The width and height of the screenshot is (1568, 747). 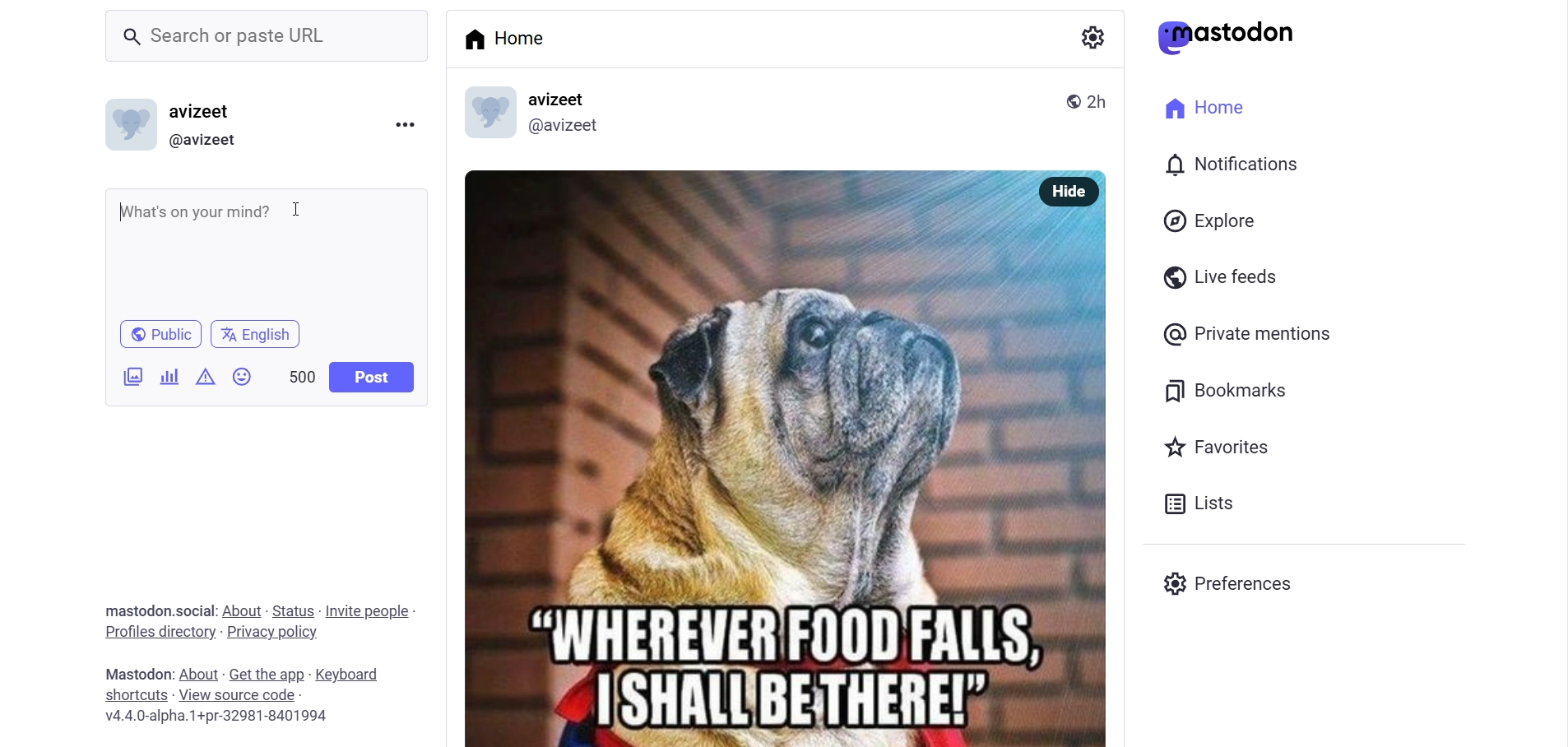 I want to click on Live feeds, so click(x=1225, y=281).